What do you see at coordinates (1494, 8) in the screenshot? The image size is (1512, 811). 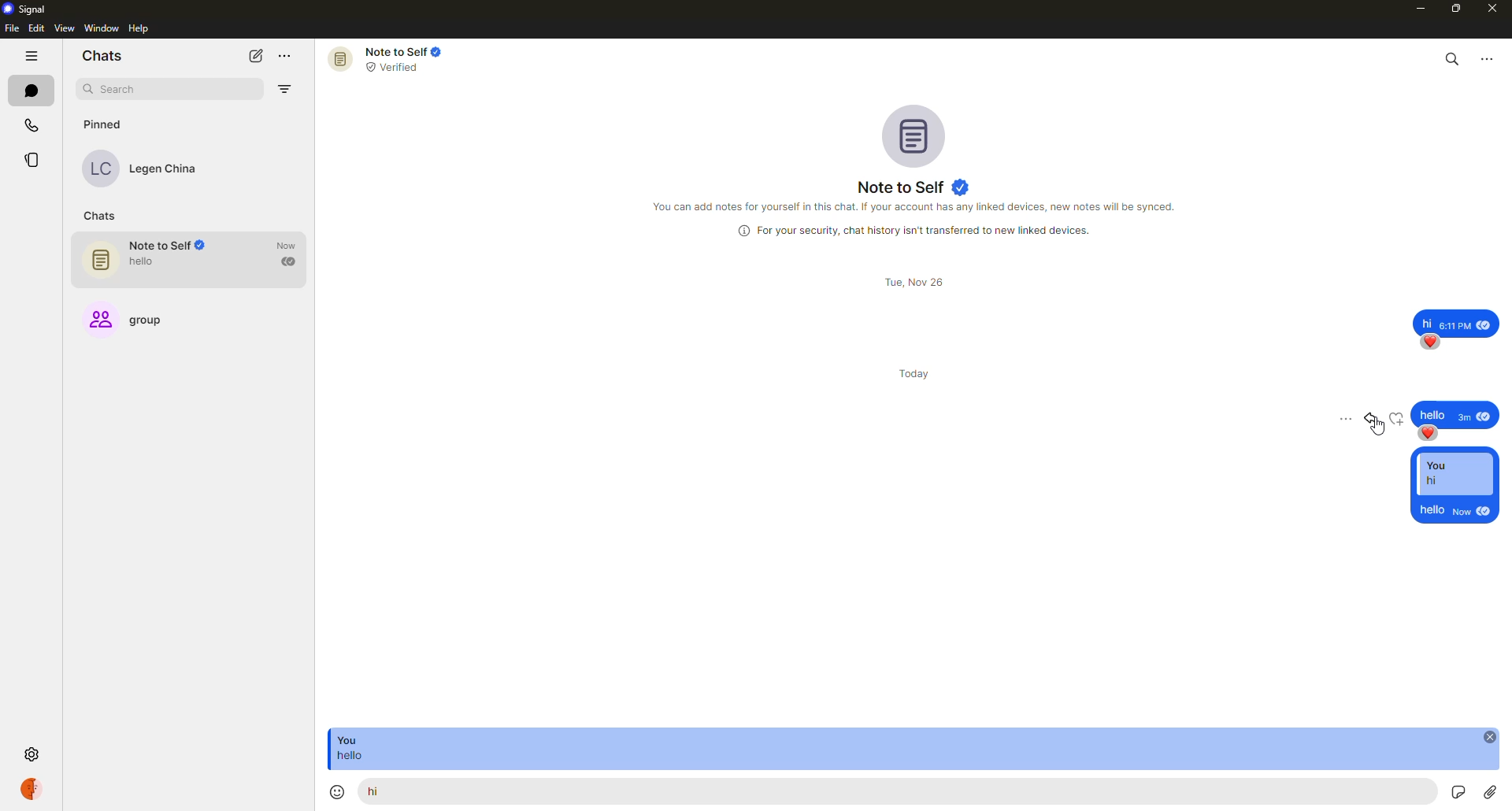 I see `close` at bounding box center [1494, 8].